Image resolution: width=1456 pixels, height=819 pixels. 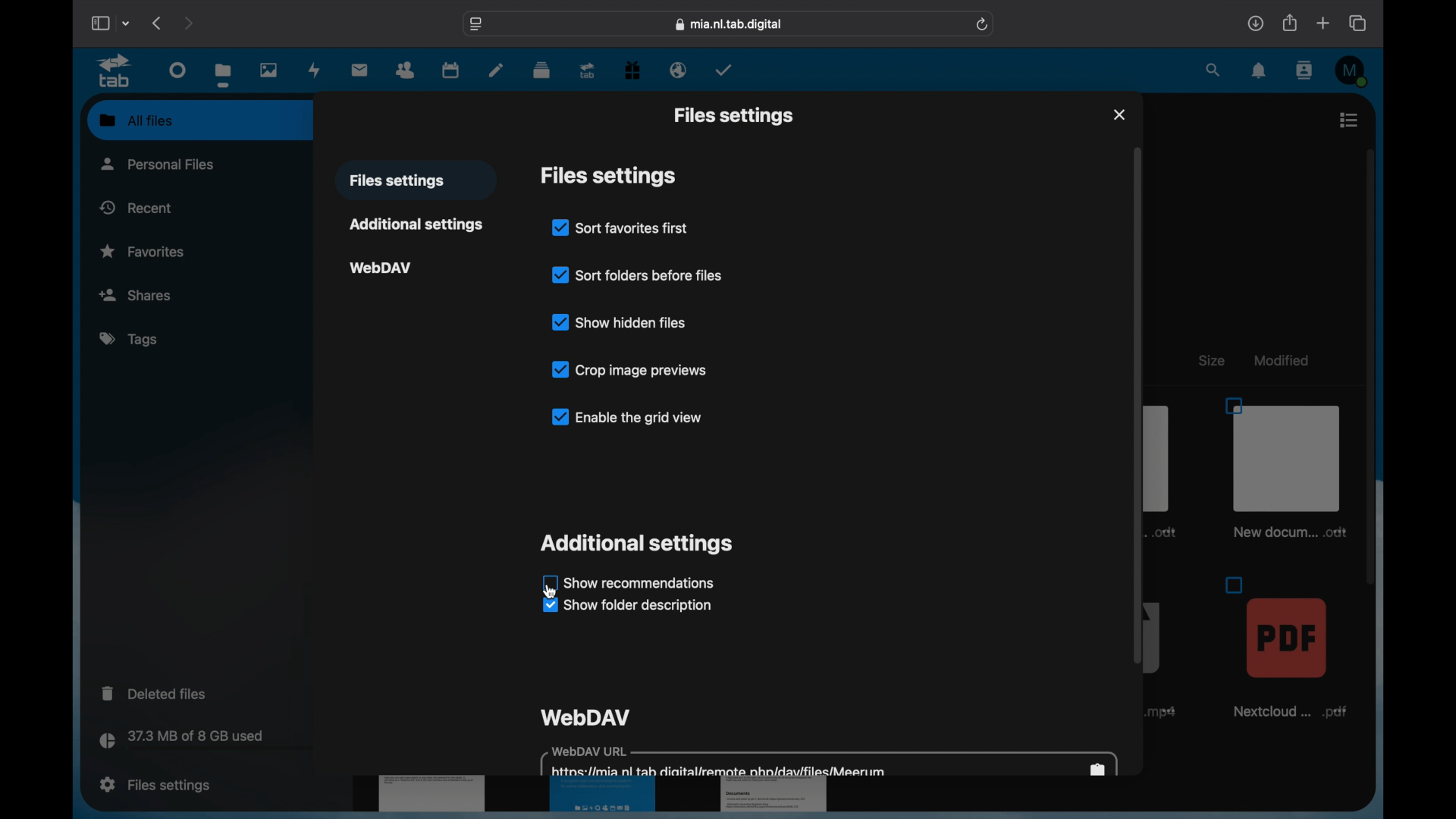 What do you see at coordinates (223, 76) in the screenshot?
I see `files` at bounding box center [223, 76].